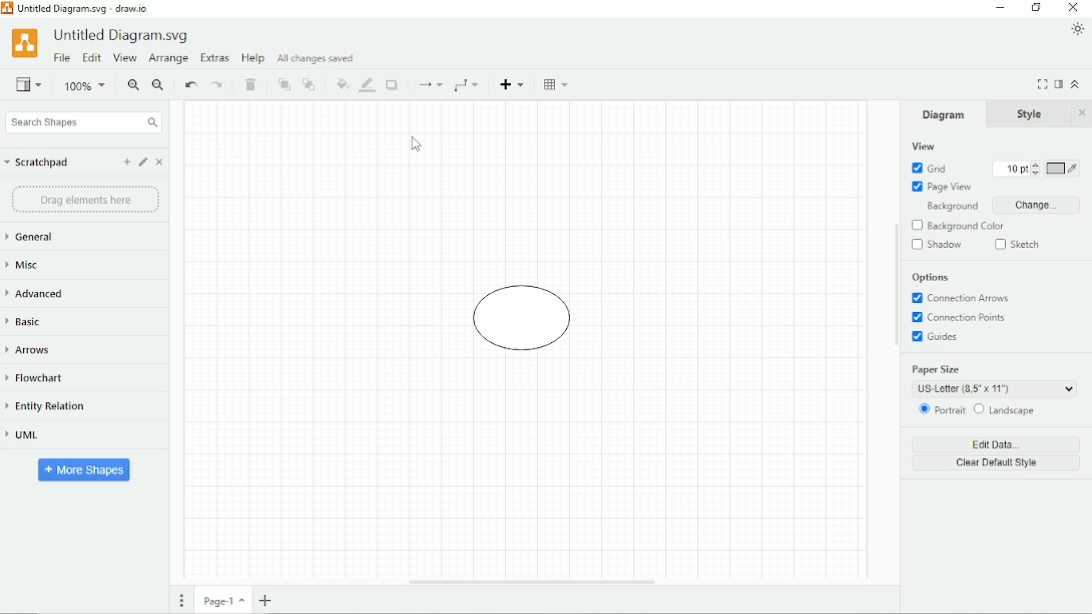 The image size is (1092, 614). Describe the element at coordinates (124, 58) in the screenshot. I see `View` at that location.